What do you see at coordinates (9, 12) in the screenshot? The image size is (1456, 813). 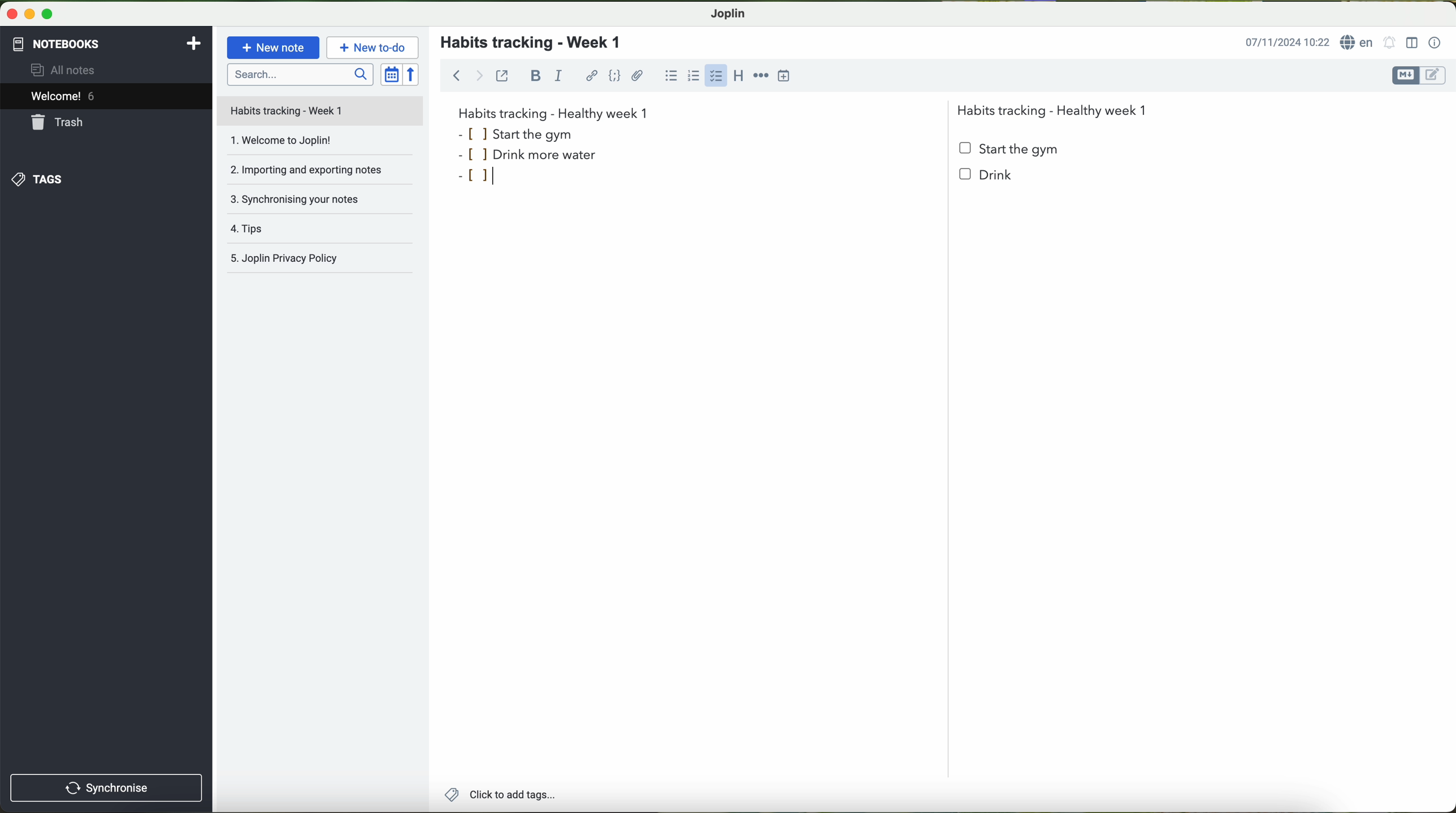 I see `close` at bounding box center [9, 12].